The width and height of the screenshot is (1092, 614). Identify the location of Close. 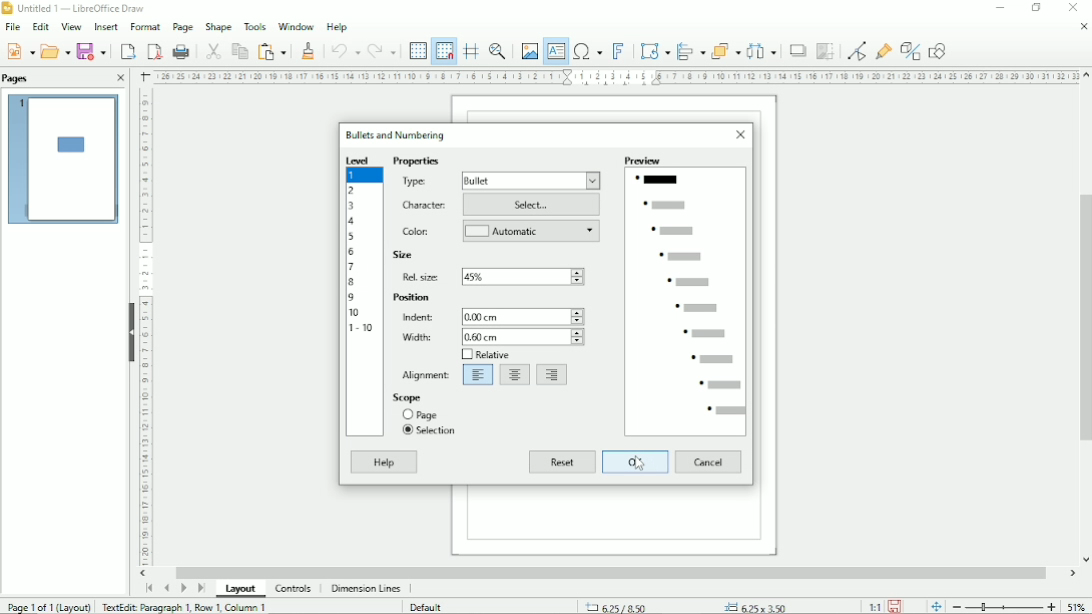
(742, 136).